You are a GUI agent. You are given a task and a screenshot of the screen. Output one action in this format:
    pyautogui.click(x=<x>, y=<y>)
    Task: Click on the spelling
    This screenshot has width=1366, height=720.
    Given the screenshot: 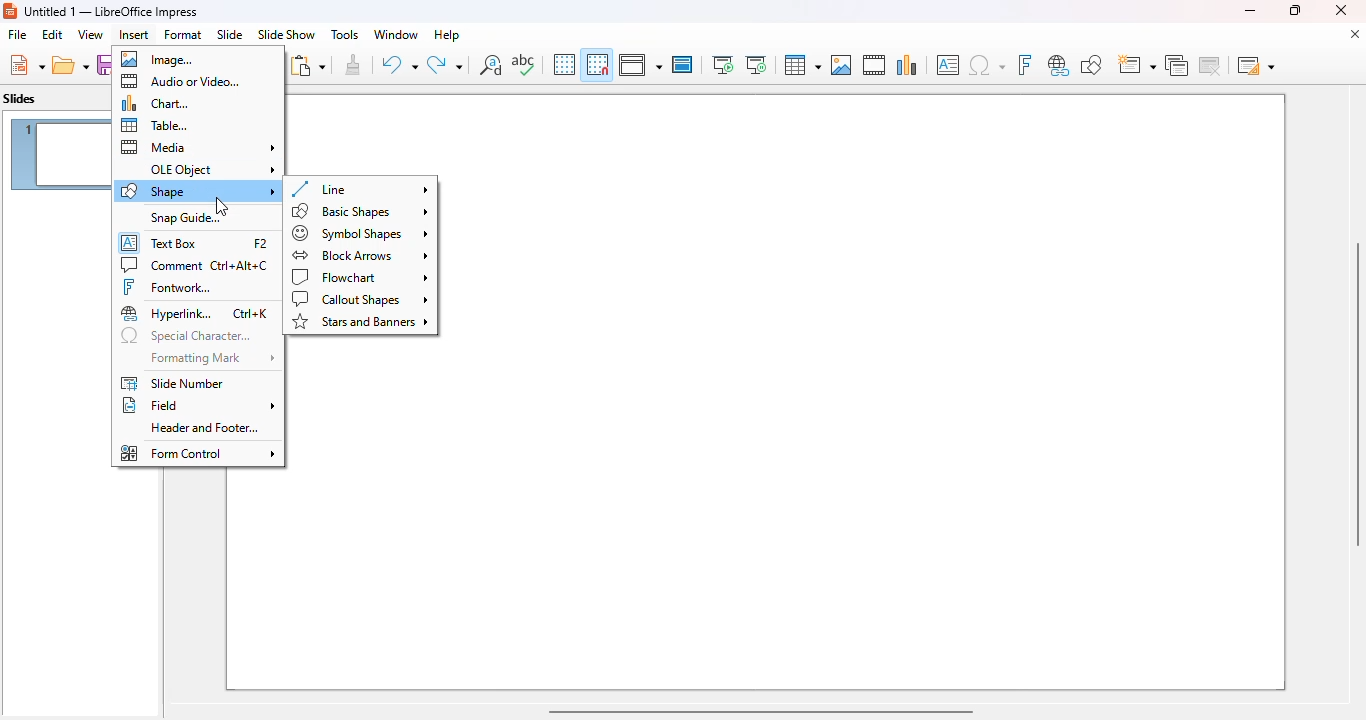 What is the action you would take?
    pyautogui.click(x=523, y=64)
    